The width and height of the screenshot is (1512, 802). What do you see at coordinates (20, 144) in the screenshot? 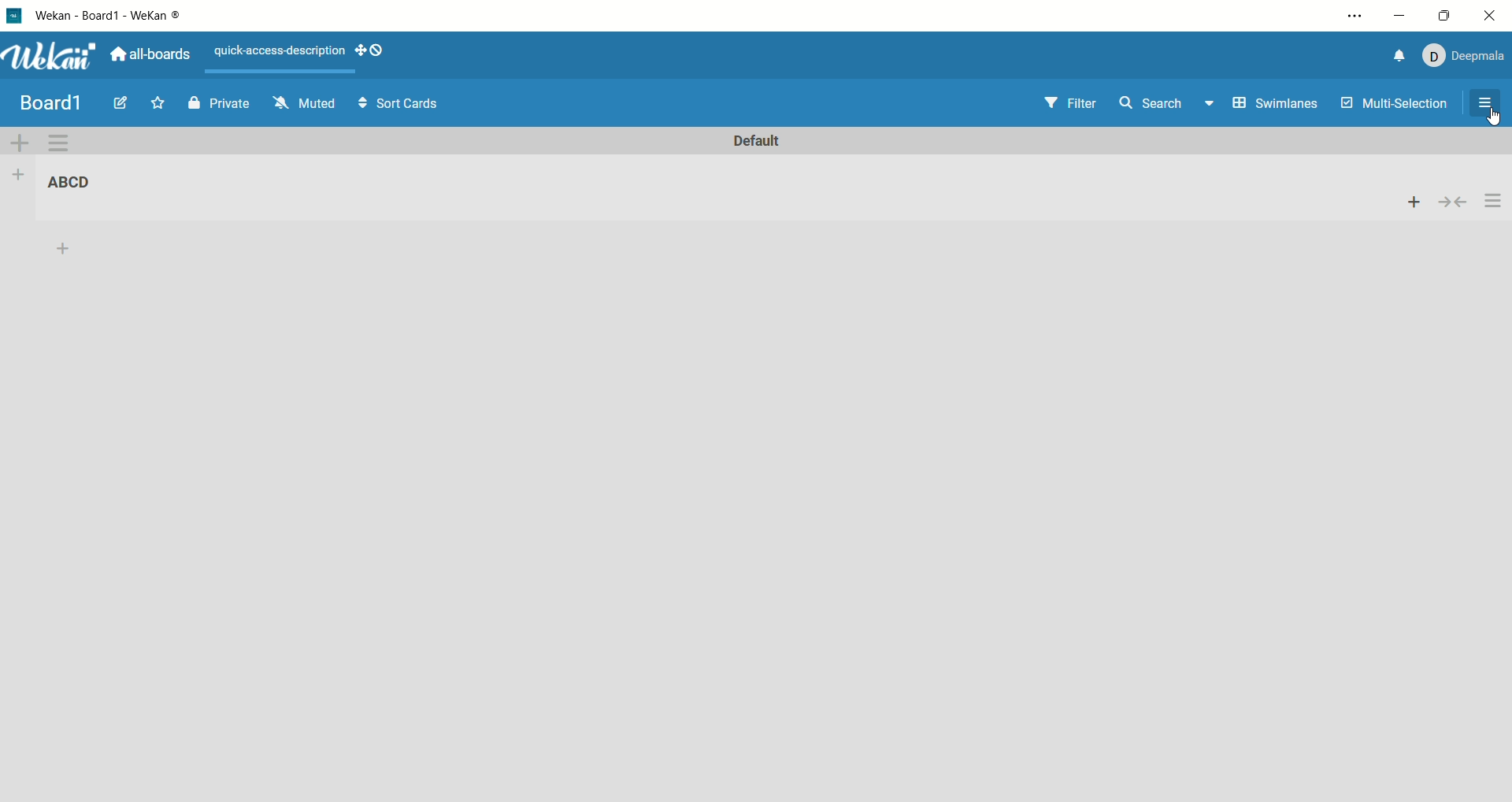
I see `add swimlane` at bounding box center [20, 144].